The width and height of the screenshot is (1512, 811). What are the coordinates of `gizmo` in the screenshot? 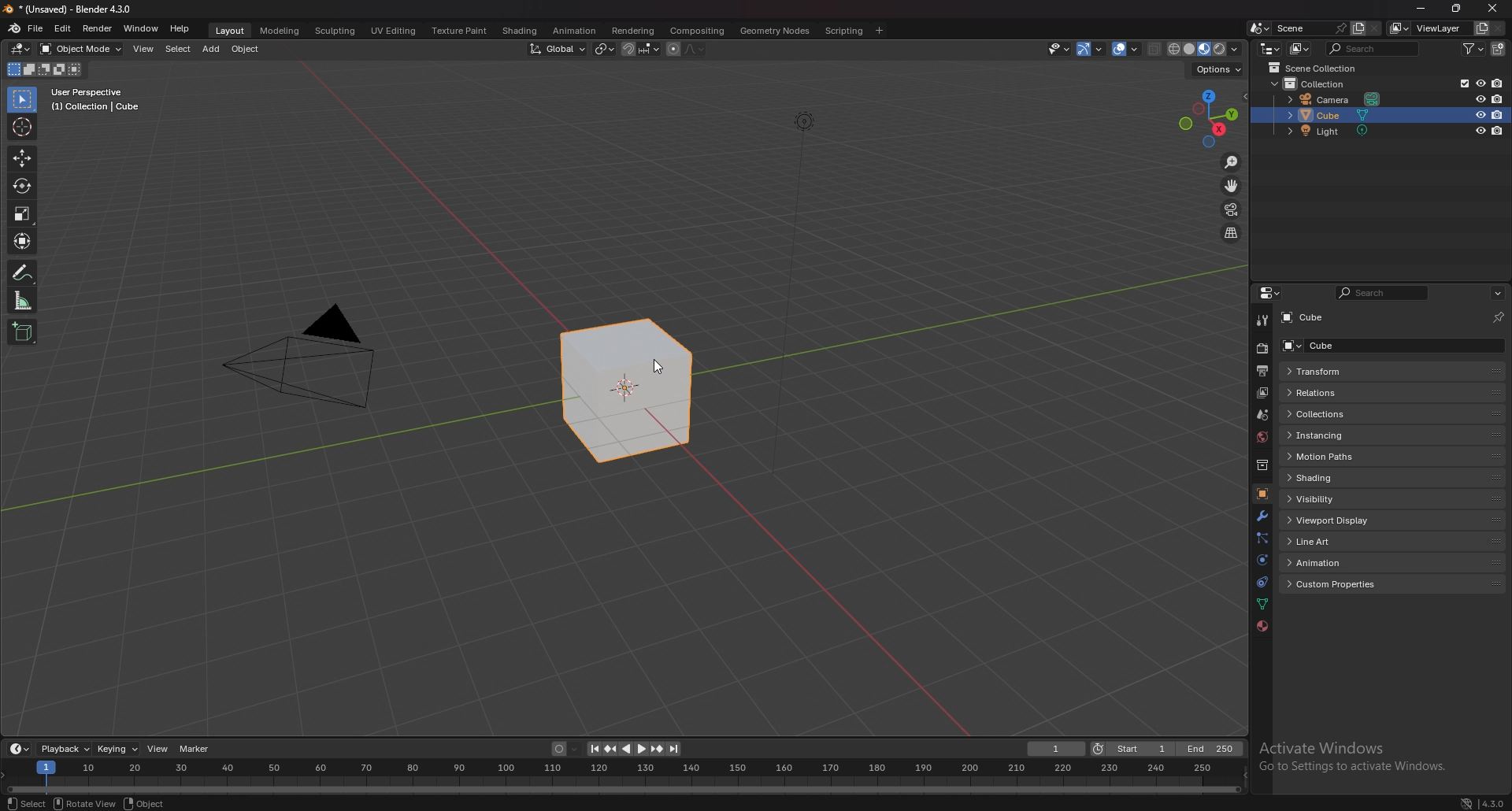 It's located at (1091, 50).